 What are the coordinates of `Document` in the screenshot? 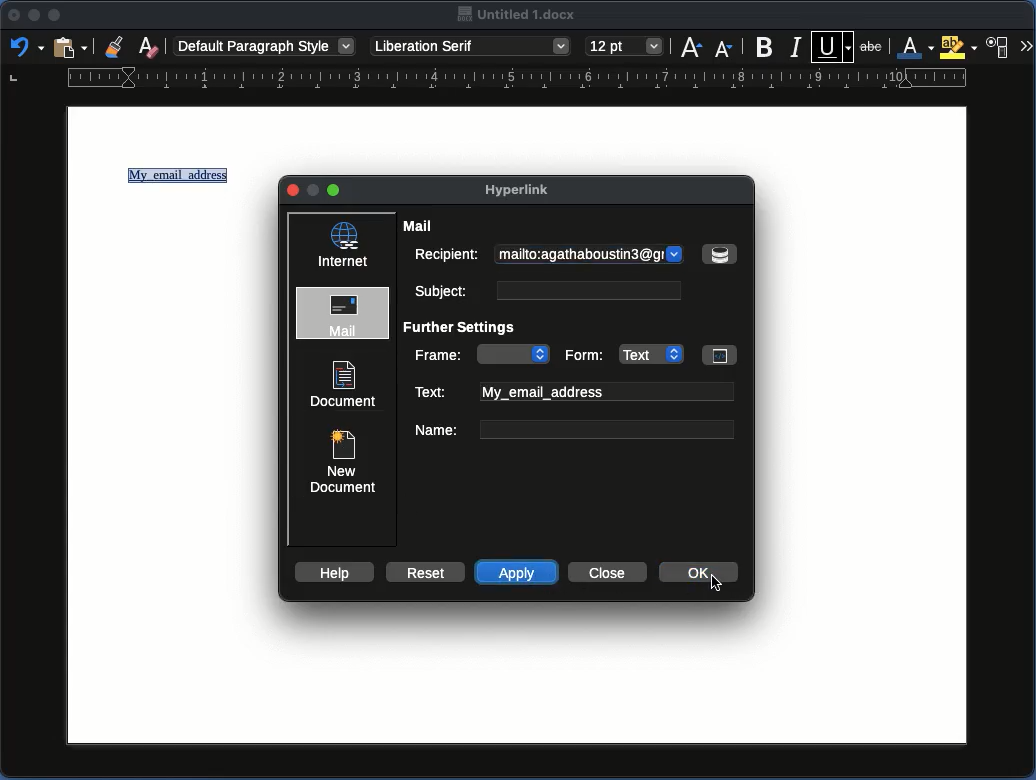 It's located at (344, 384).